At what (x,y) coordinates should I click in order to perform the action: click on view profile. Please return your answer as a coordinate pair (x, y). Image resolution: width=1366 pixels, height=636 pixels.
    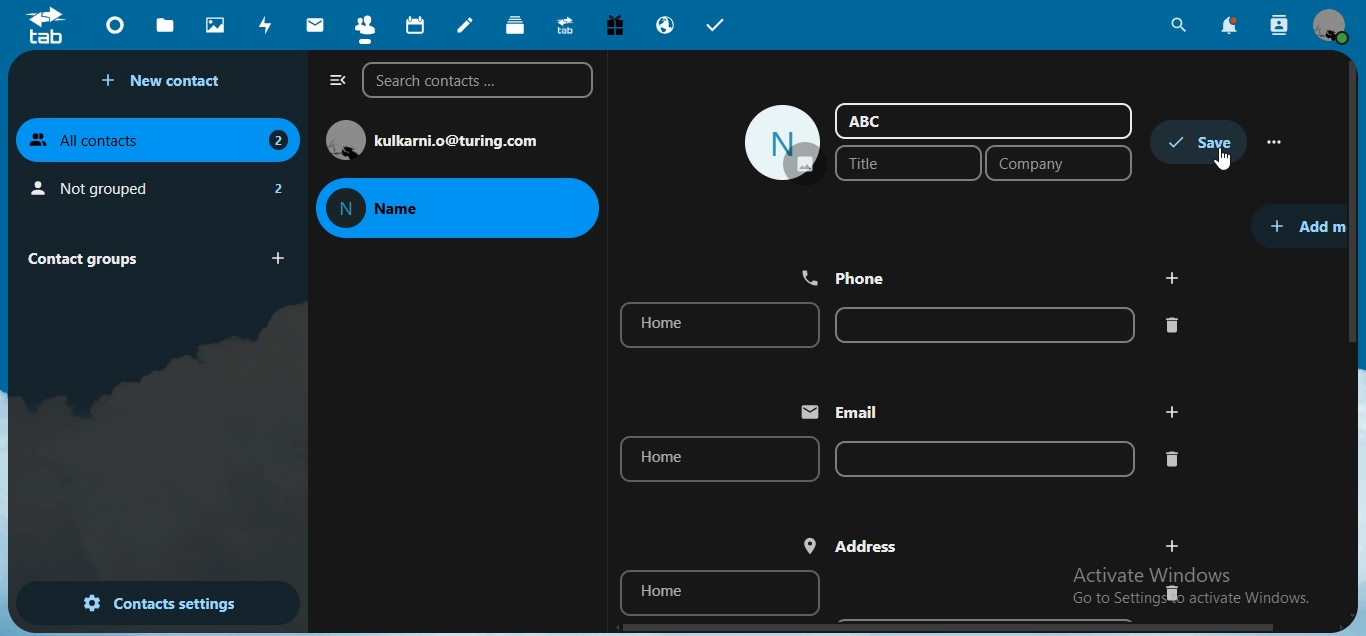
    Looking at the image, I should click on (1333, 28).